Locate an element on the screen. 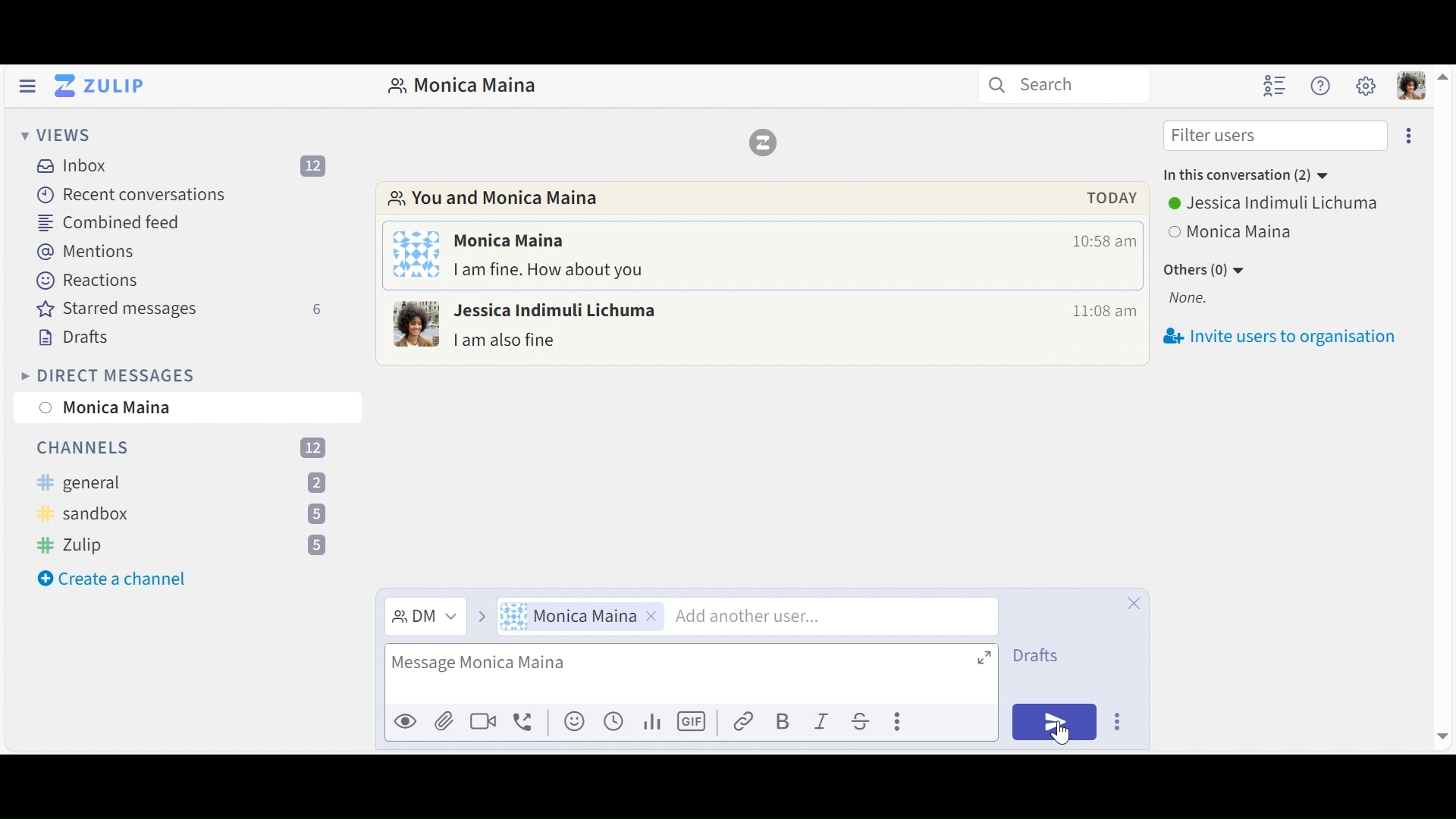 The height and width of the screenshot is (819, 1456). View is located at coordinates (53, 134).